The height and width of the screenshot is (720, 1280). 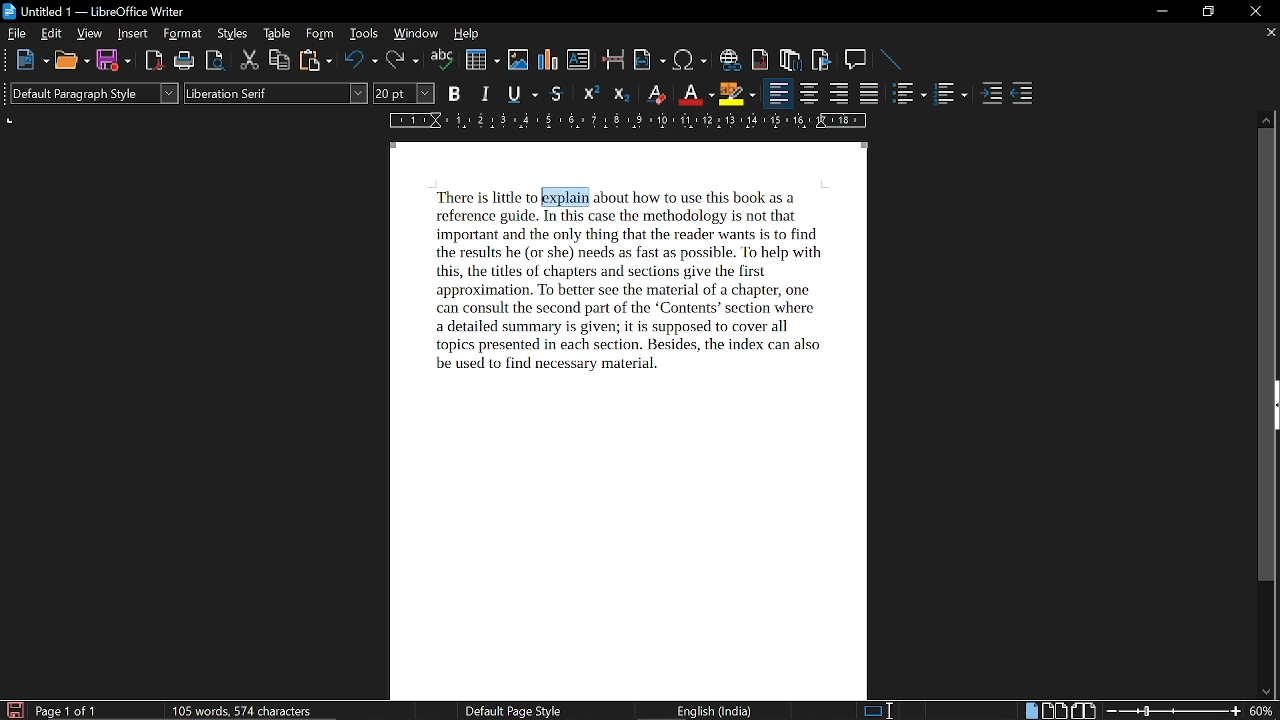 What do you see at coordinates (315, 62) in the screenshot?
I see `paste` at bounding box center [315, 62].